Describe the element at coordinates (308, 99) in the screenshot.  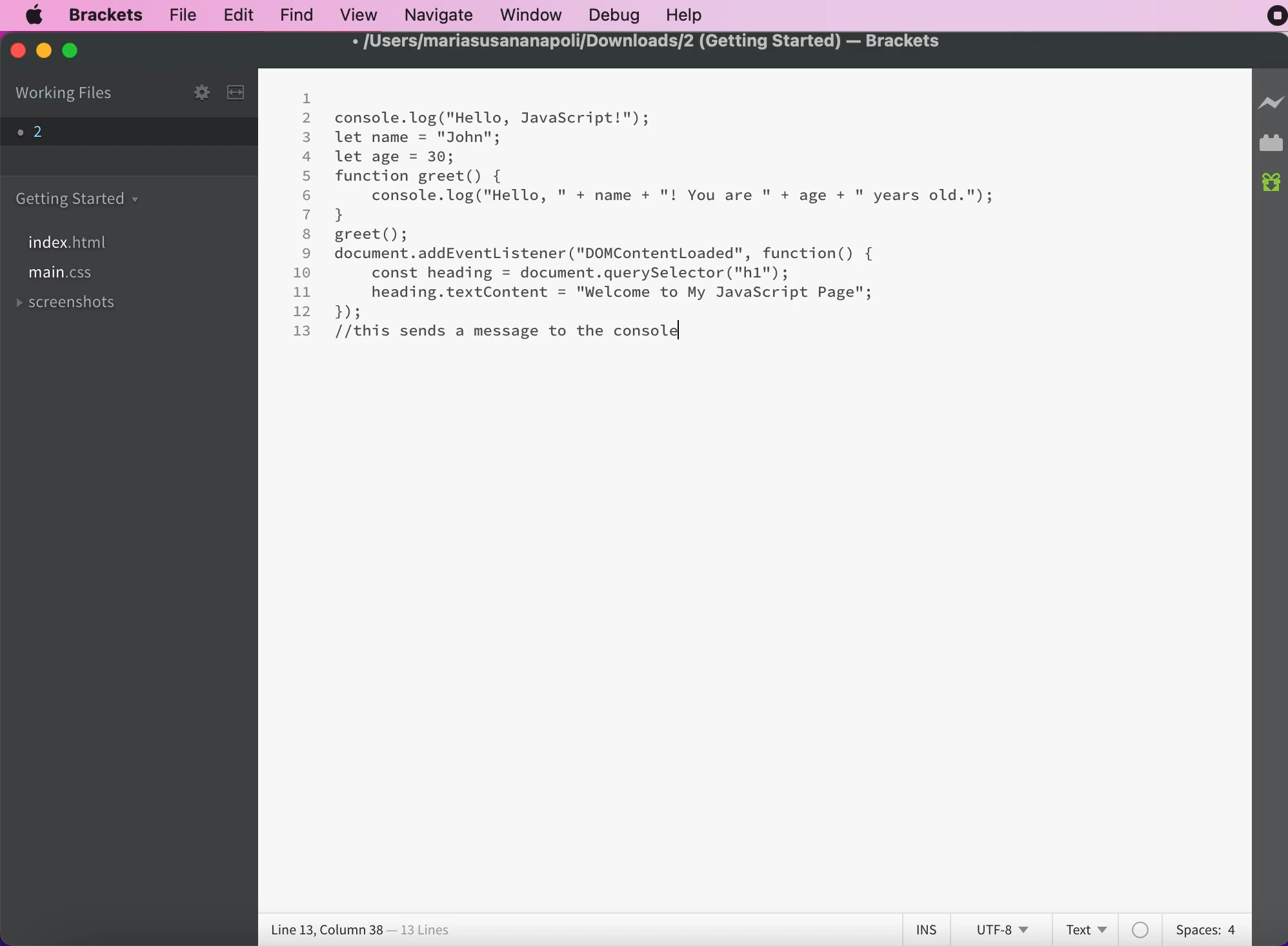
I see `1` at that location.